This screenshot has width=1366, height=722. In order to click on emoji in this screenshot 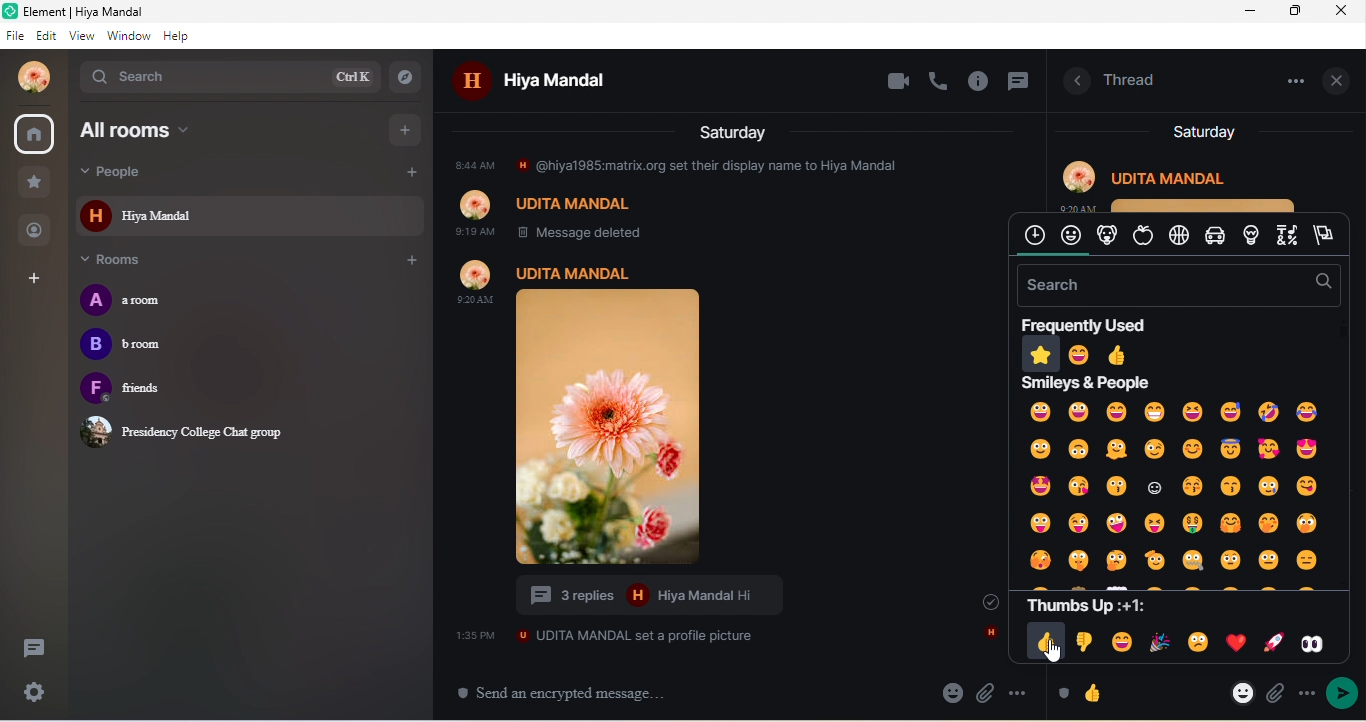, I will do `click(952, 692)`.